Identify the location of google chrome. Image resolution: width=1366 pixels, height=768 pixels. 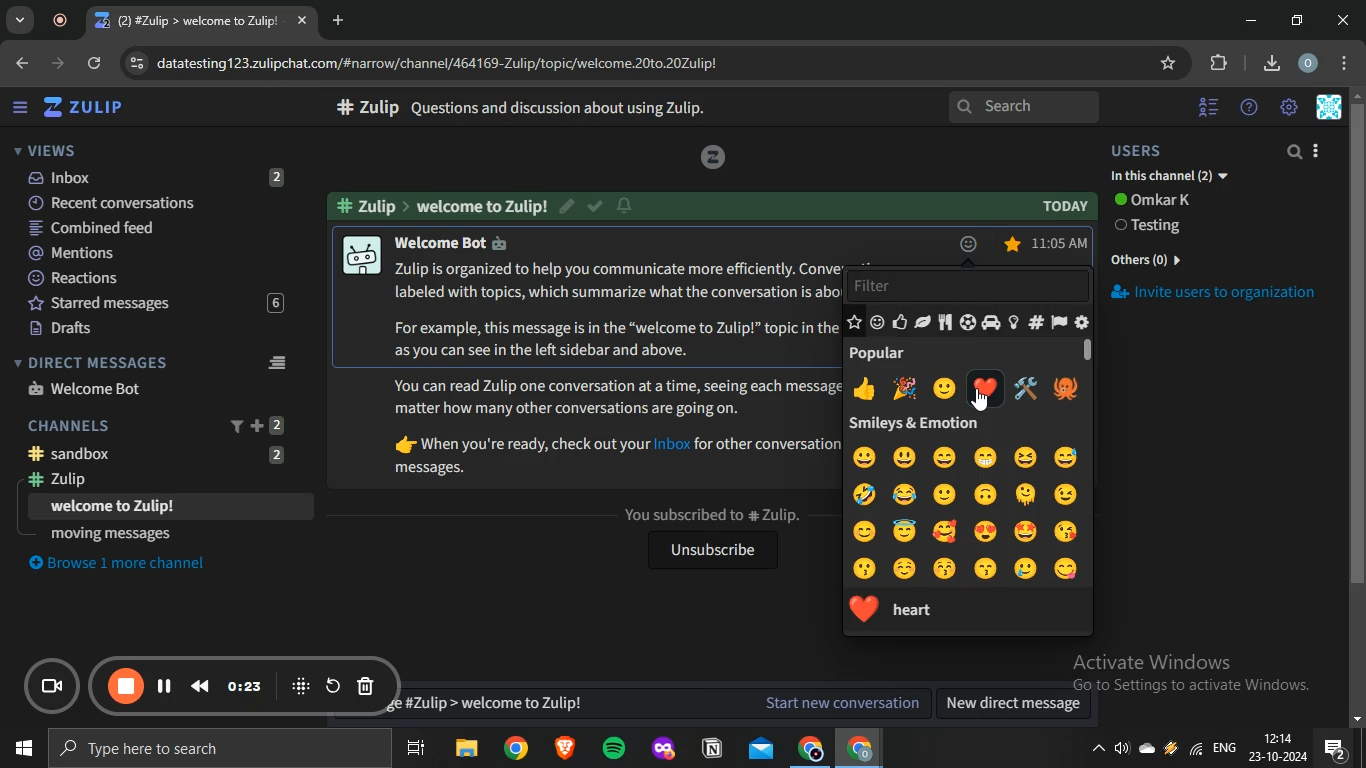
(809, 749).